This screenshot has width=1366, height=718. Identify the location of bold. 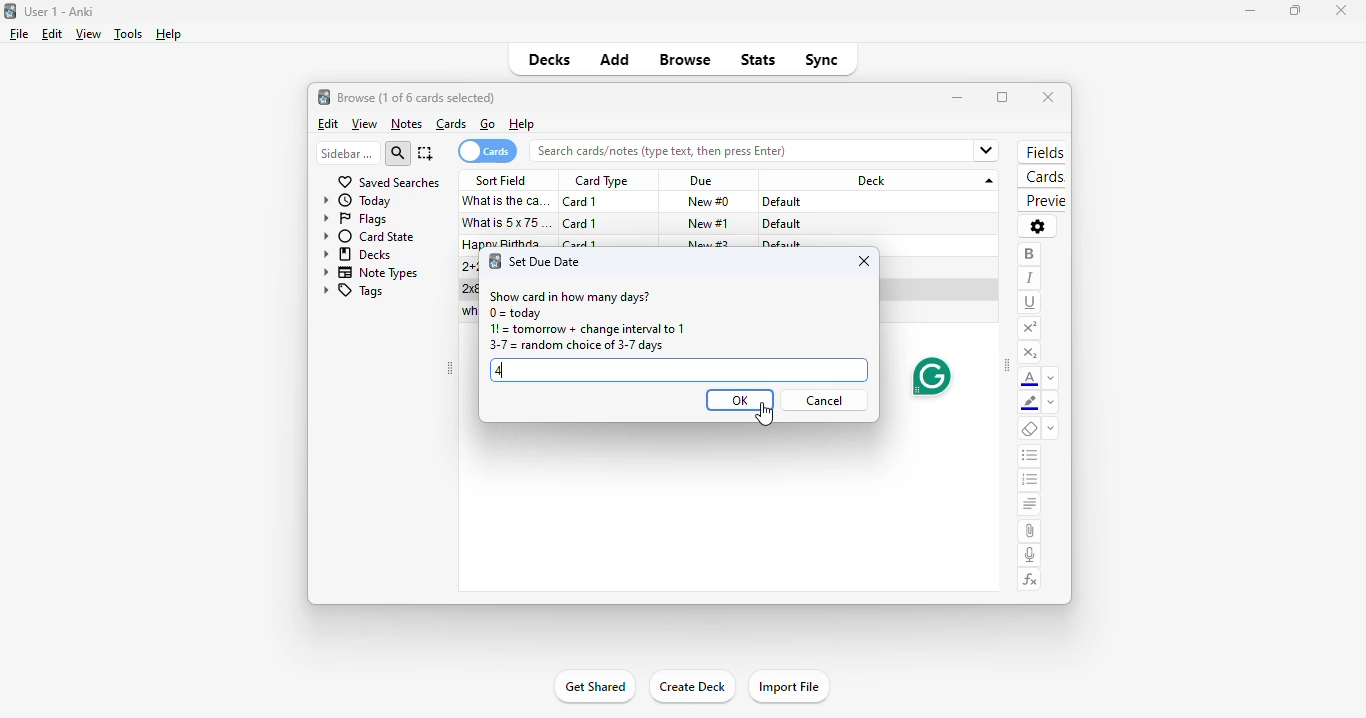
(1029, 254).